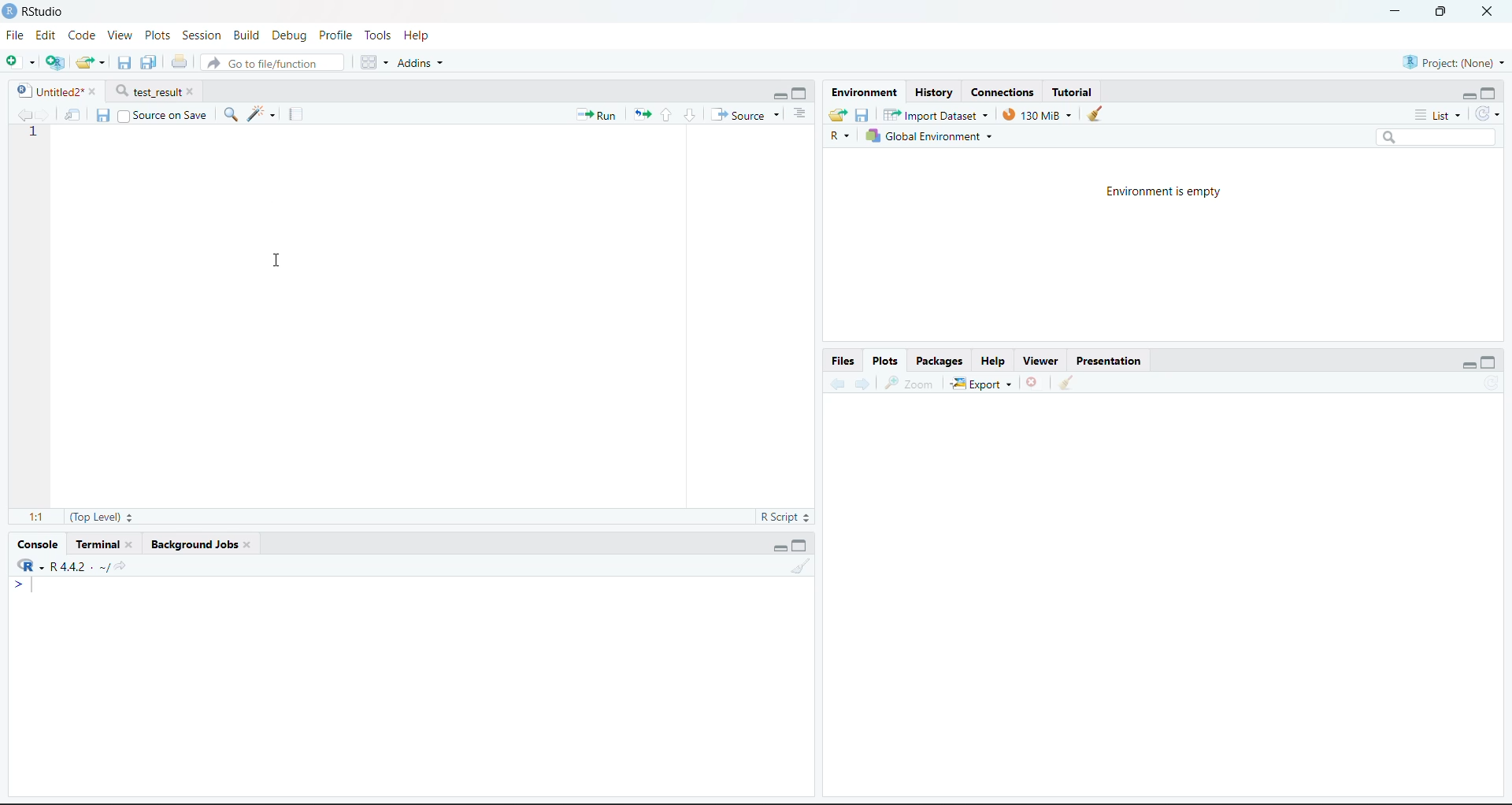  Describe the element at coordinates (1071, 380) in the screenshot. I see `Clear console (Ctrl +L)` at that location.